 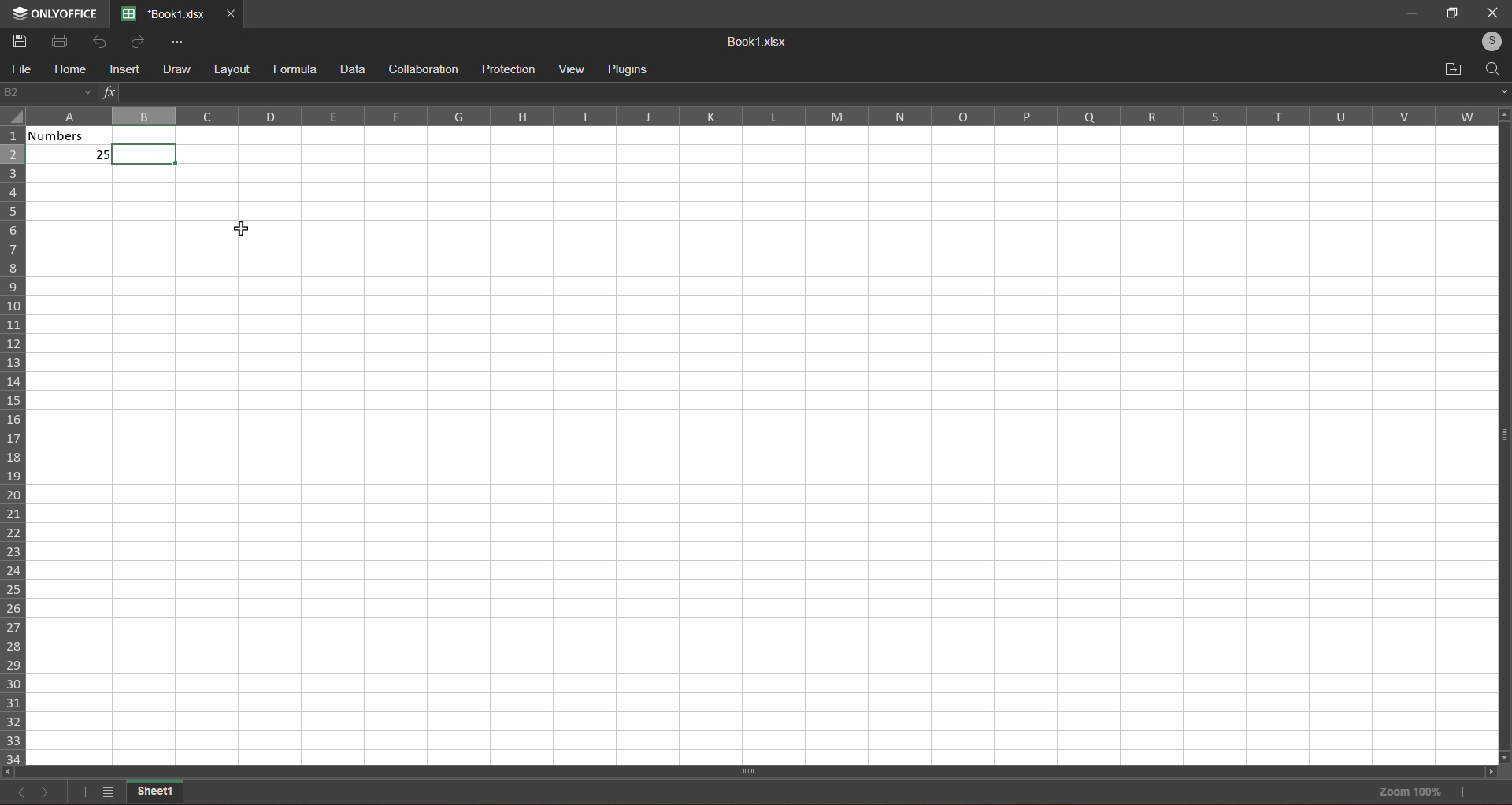 What do you see at coordinates (1485, 771) in the screenshot?
I see `scroll right` at bounding box center [1485, 771].